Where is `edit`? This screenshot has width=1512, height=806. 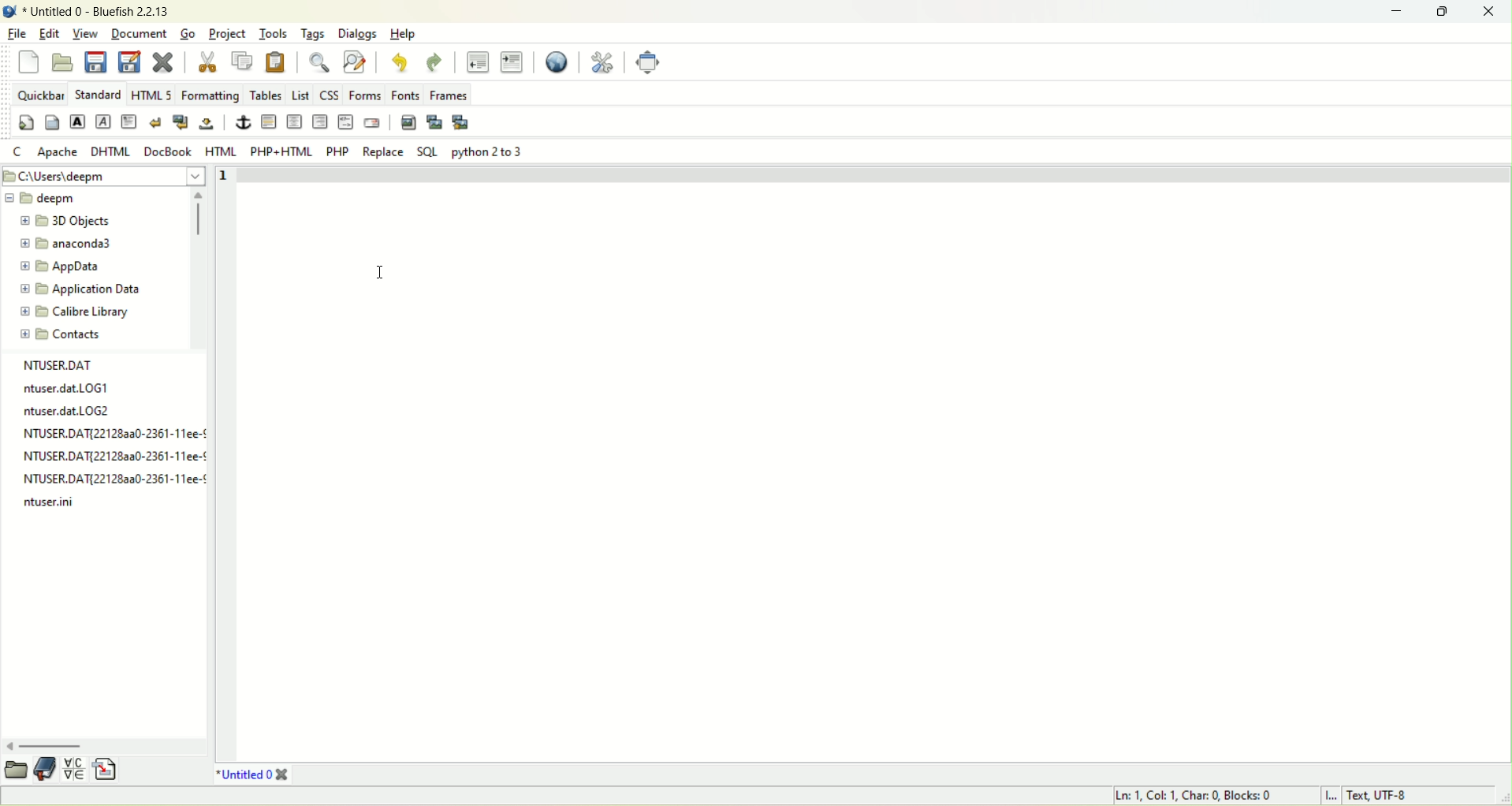 edit is located at coordinates (50, 33).